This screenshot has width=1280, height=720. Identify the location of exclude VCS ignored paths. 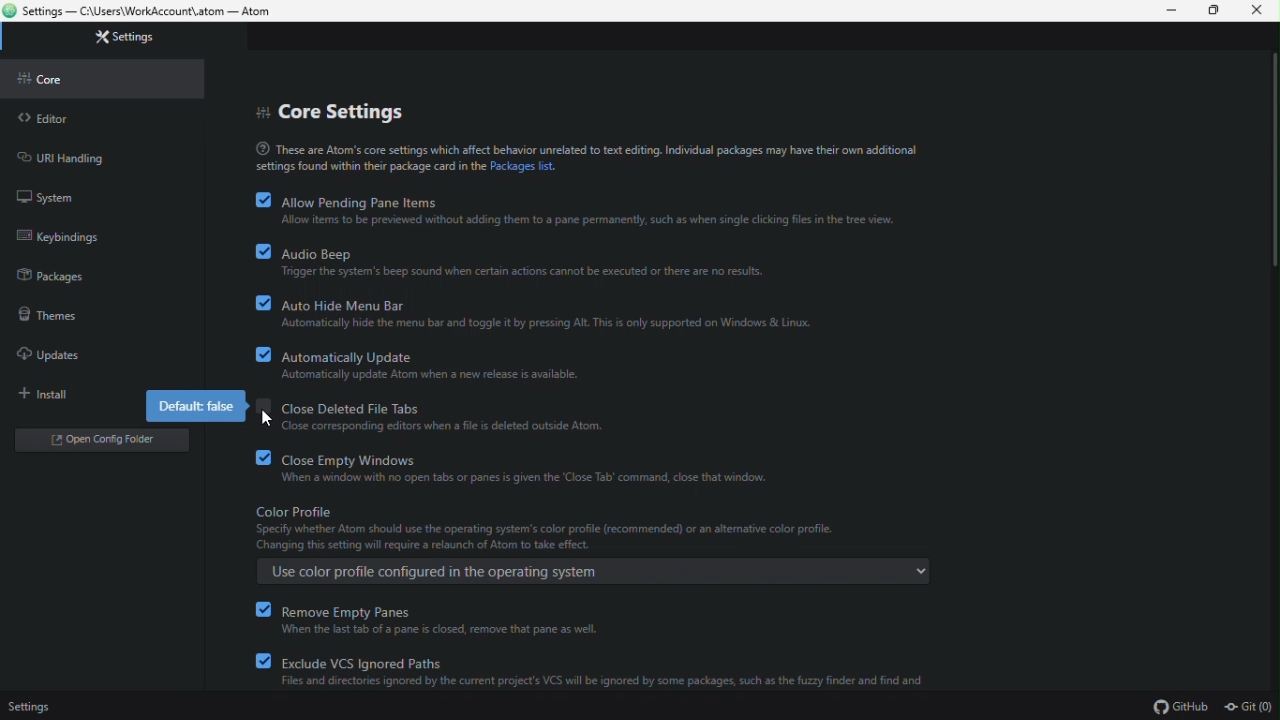
(607, 671).